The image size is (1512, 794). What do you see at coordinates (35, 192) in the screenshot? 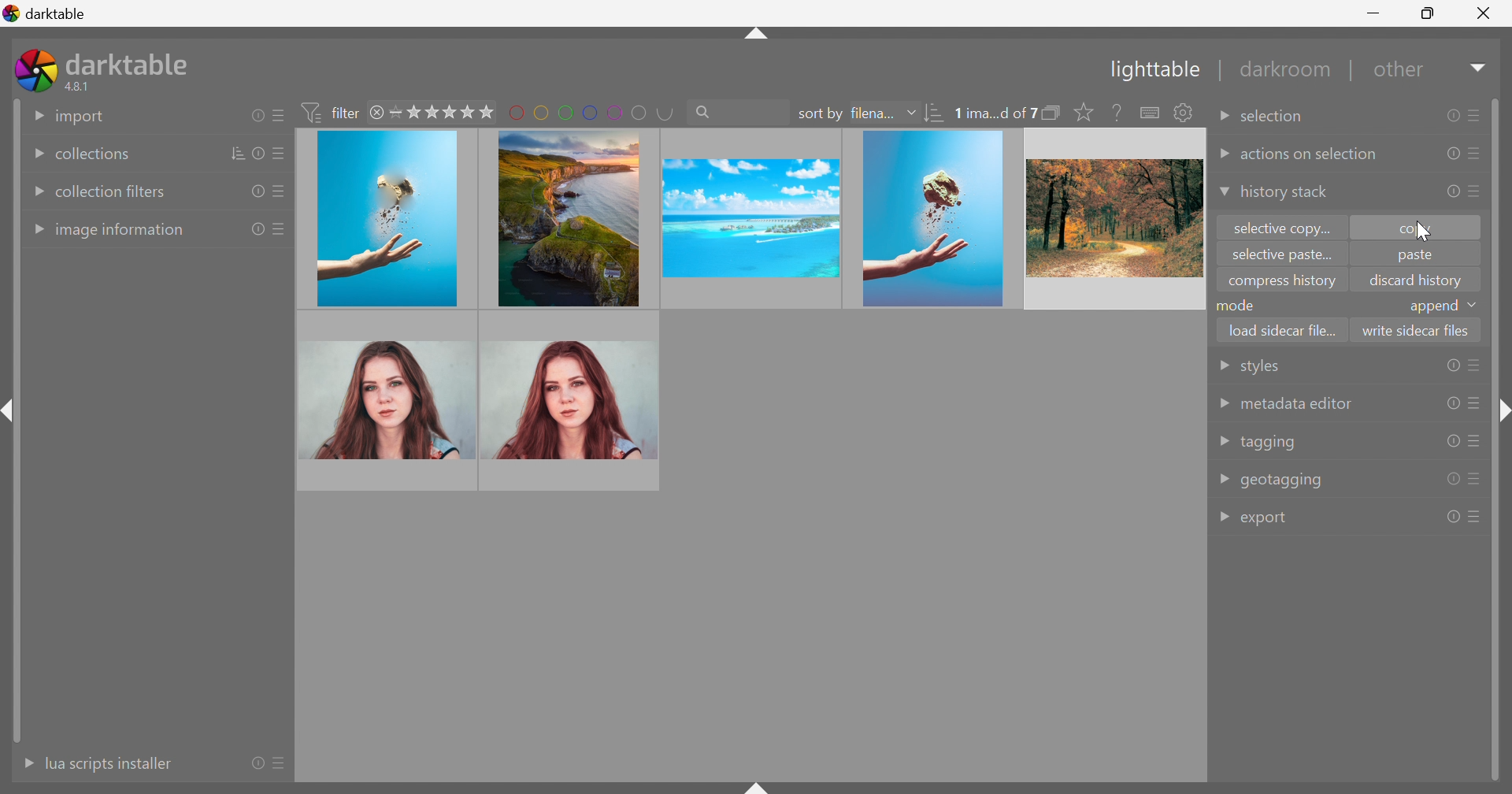
I see `Drop Down` at bounding box center [35, 192].